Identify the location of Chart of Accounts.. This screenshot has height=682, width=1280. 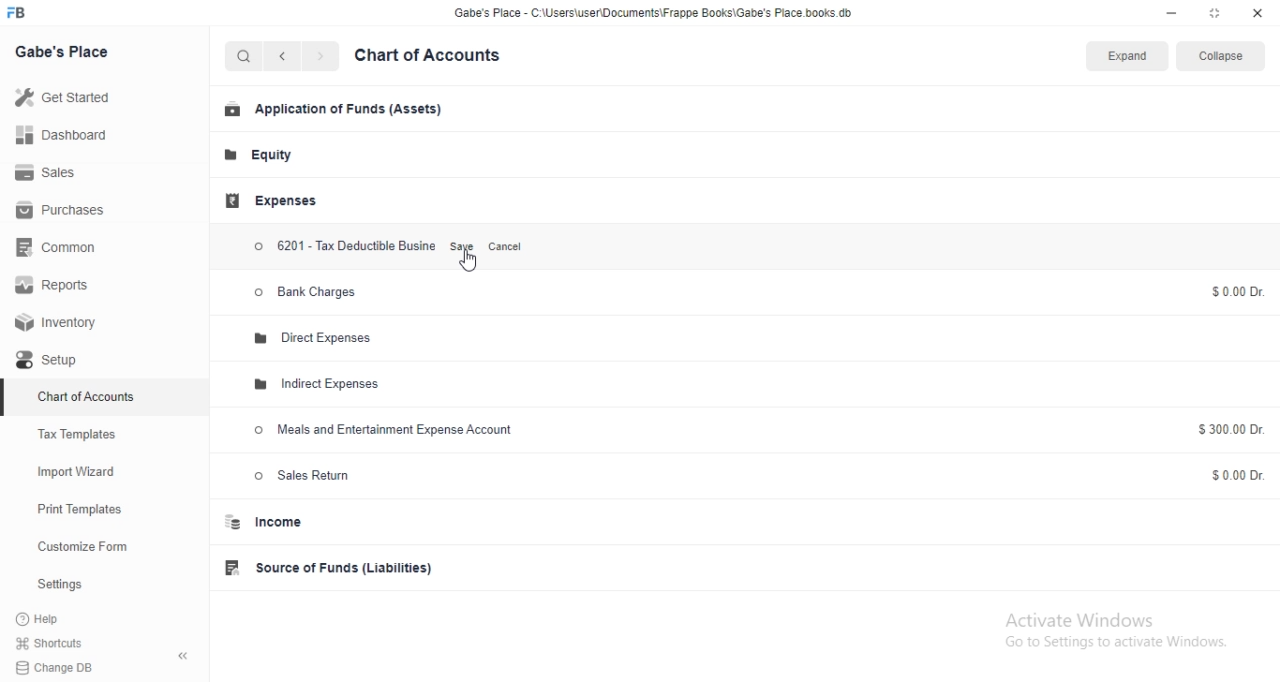
(447, 57).